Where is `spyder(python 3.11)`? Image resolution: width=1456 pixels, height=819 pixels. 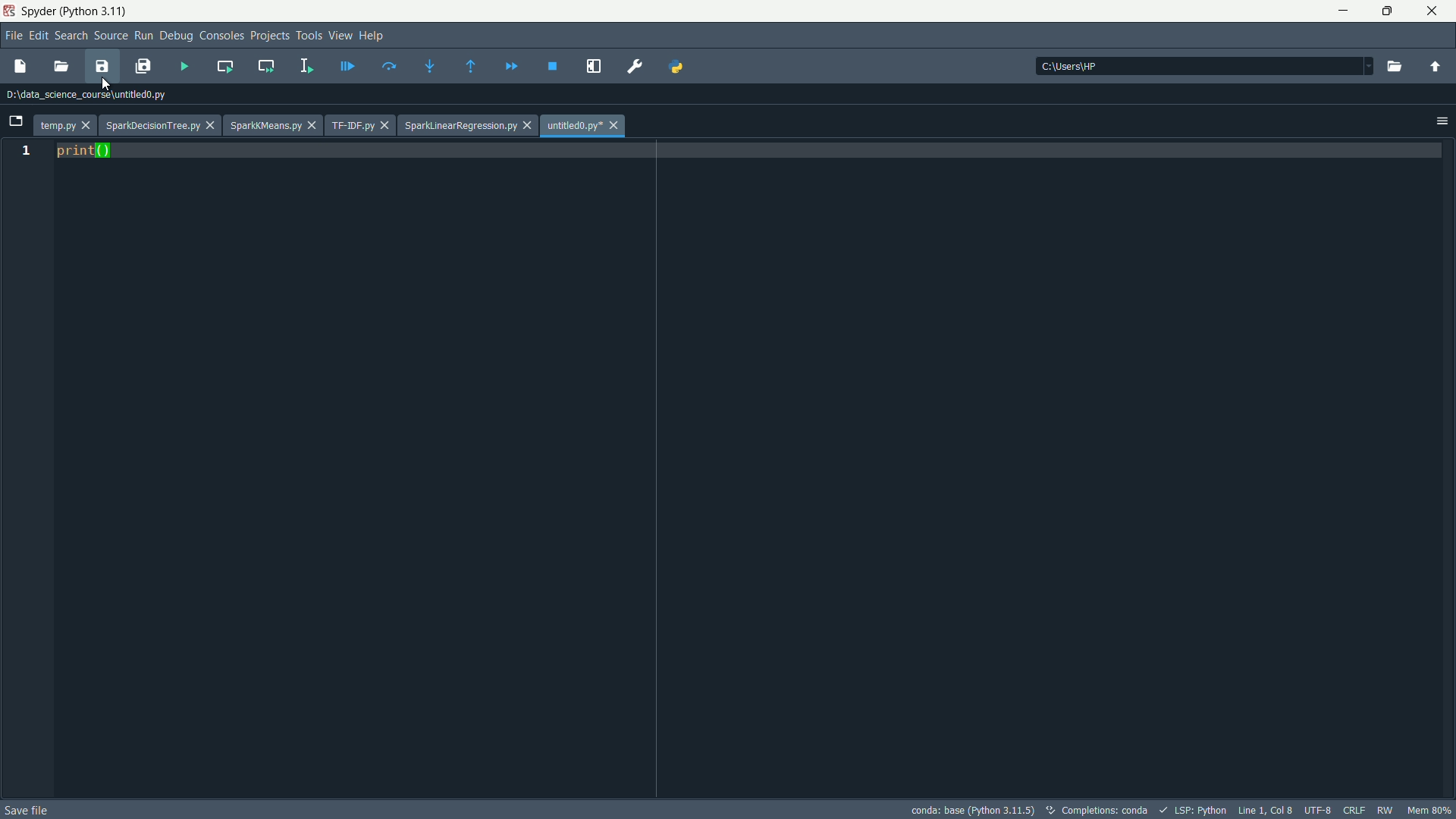
spyder(python 3.11) is located at coordinates (75, 11).